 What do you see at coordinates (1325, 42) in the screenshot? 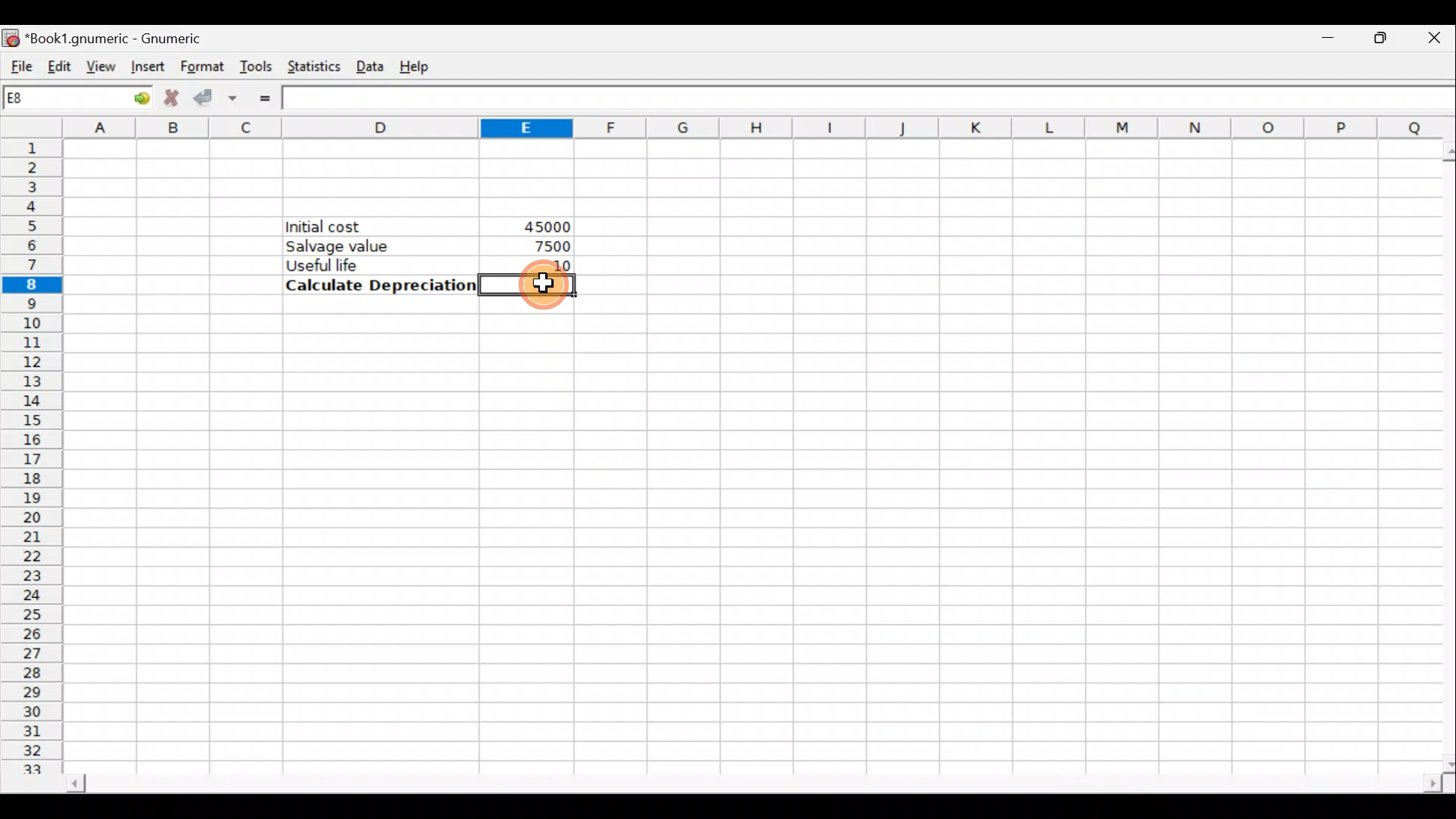
I see `Minimize` at bounding box center [1325, 42].